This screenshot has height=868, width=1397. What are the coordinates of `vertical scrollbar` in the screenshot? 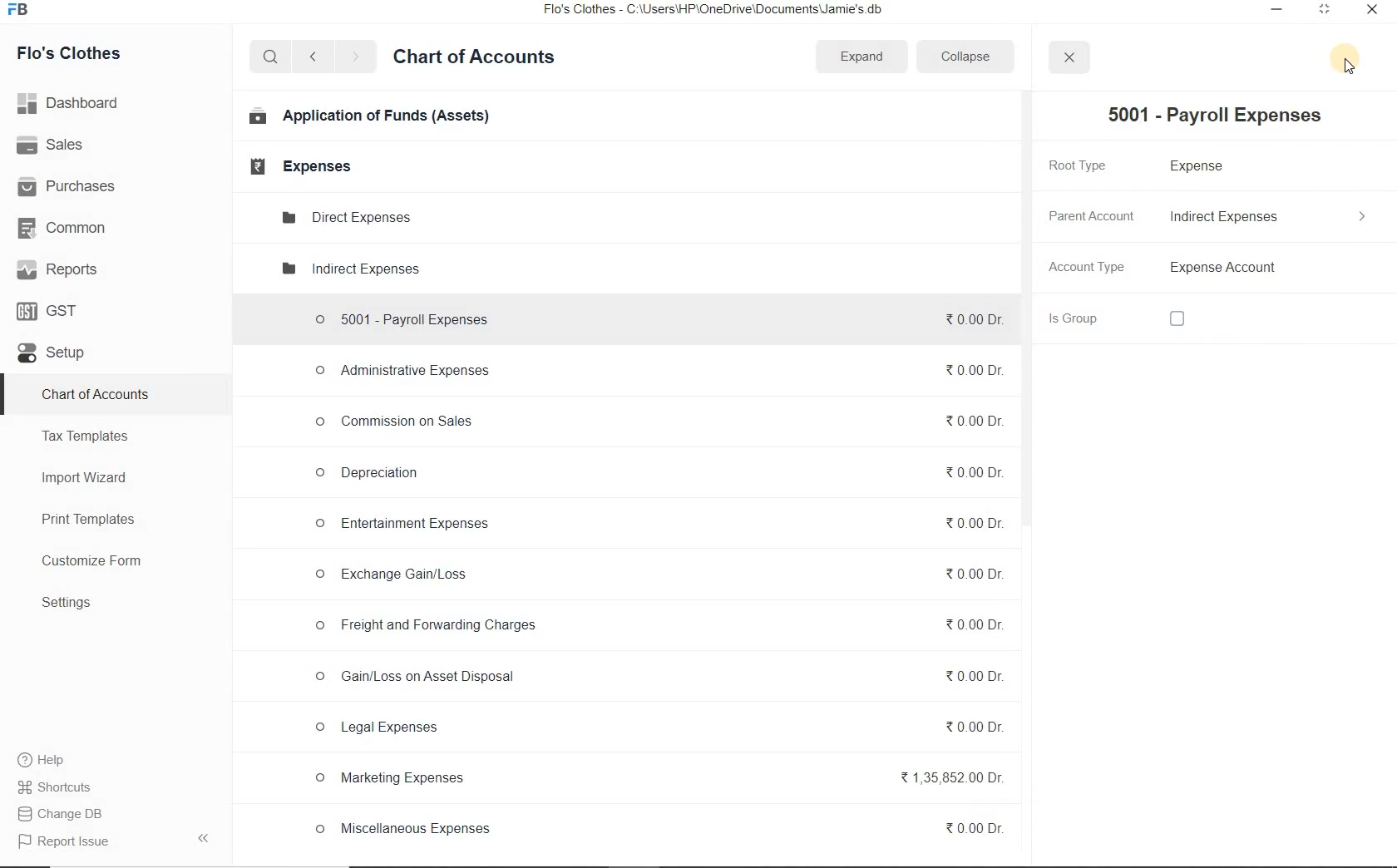 It's located at (1024, 310).